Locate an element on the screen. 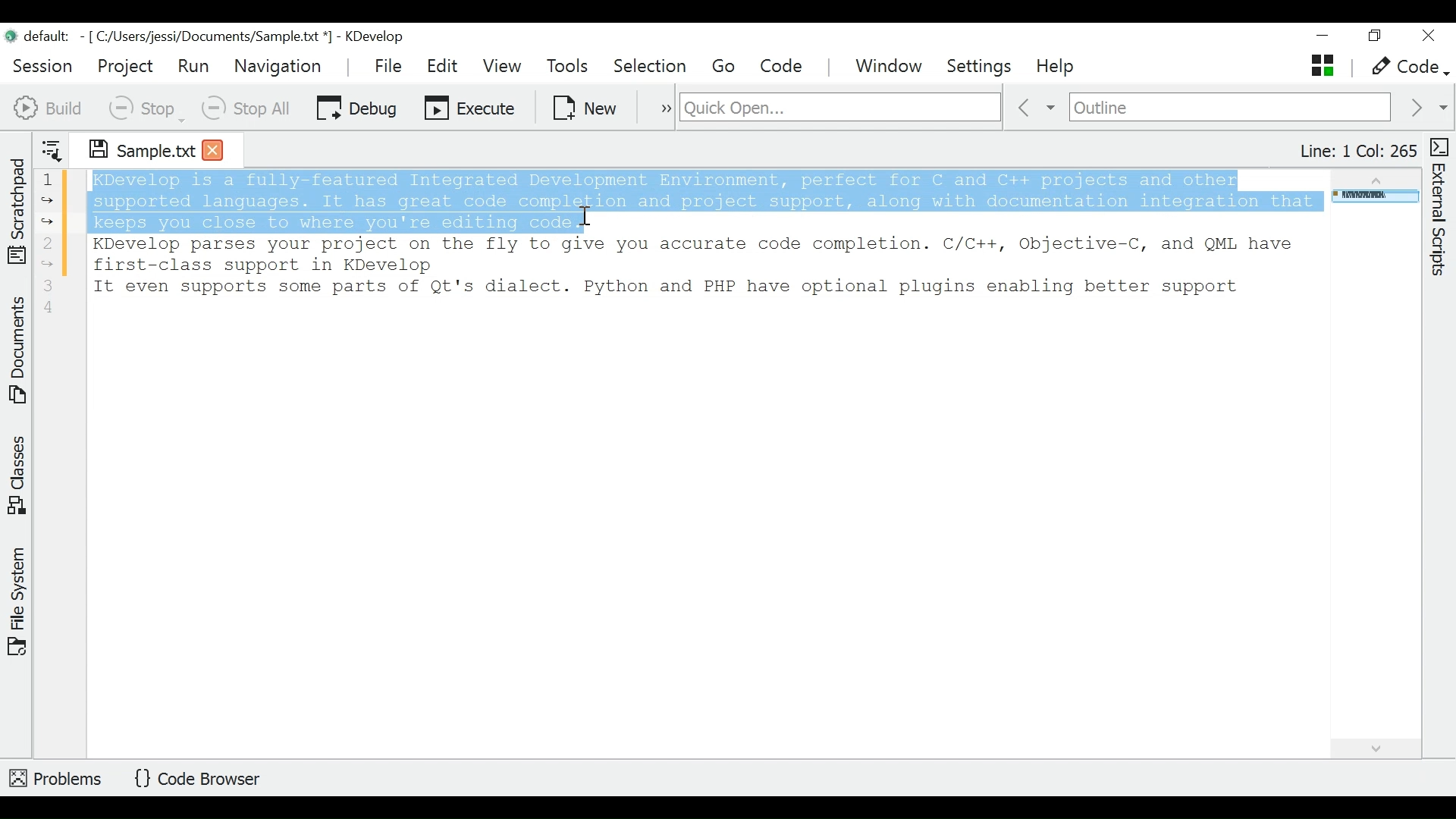 This screenshot has width=1456, height=819. Problems is located at coordinates (57, 776).